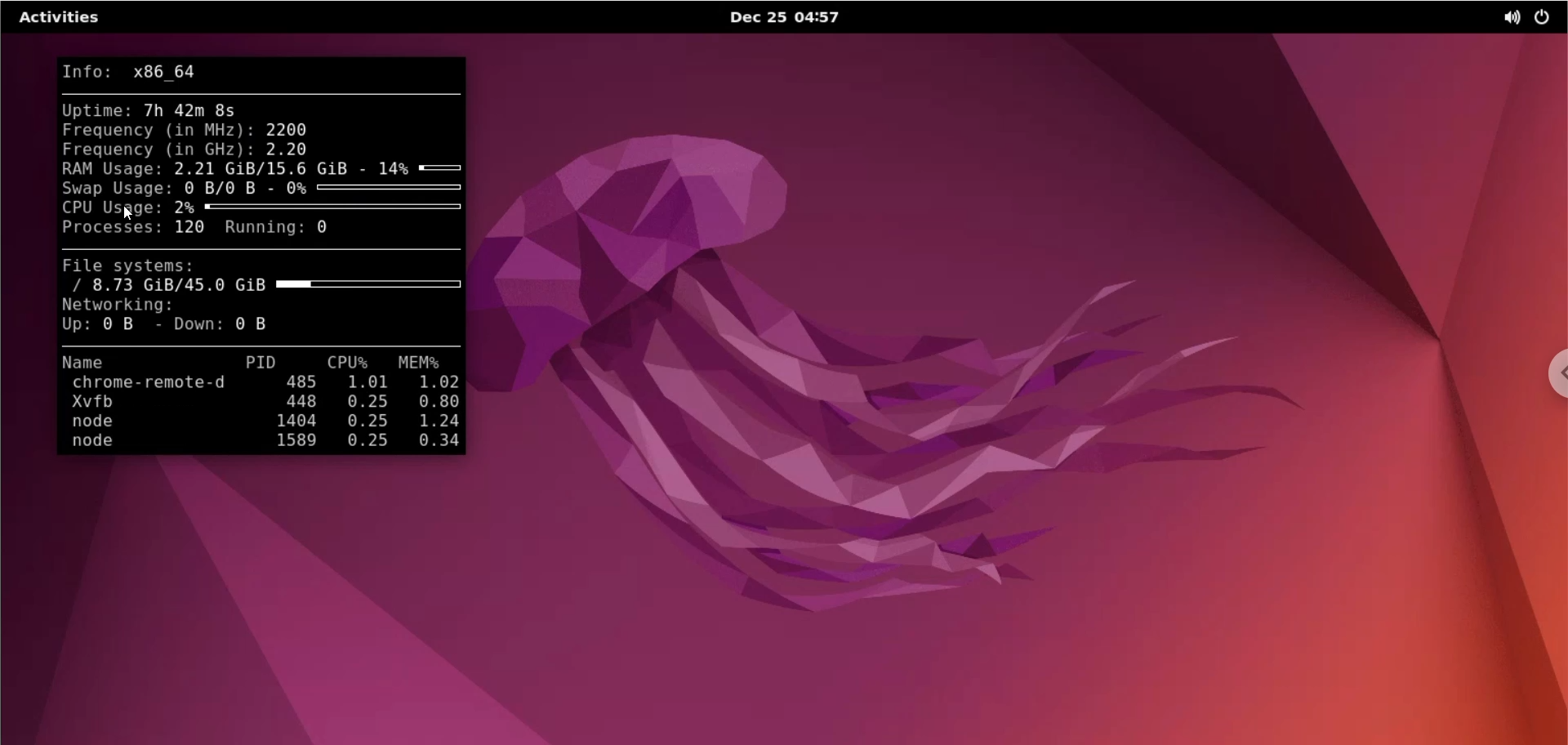  I want to click on file systems:, so click(130, 265).